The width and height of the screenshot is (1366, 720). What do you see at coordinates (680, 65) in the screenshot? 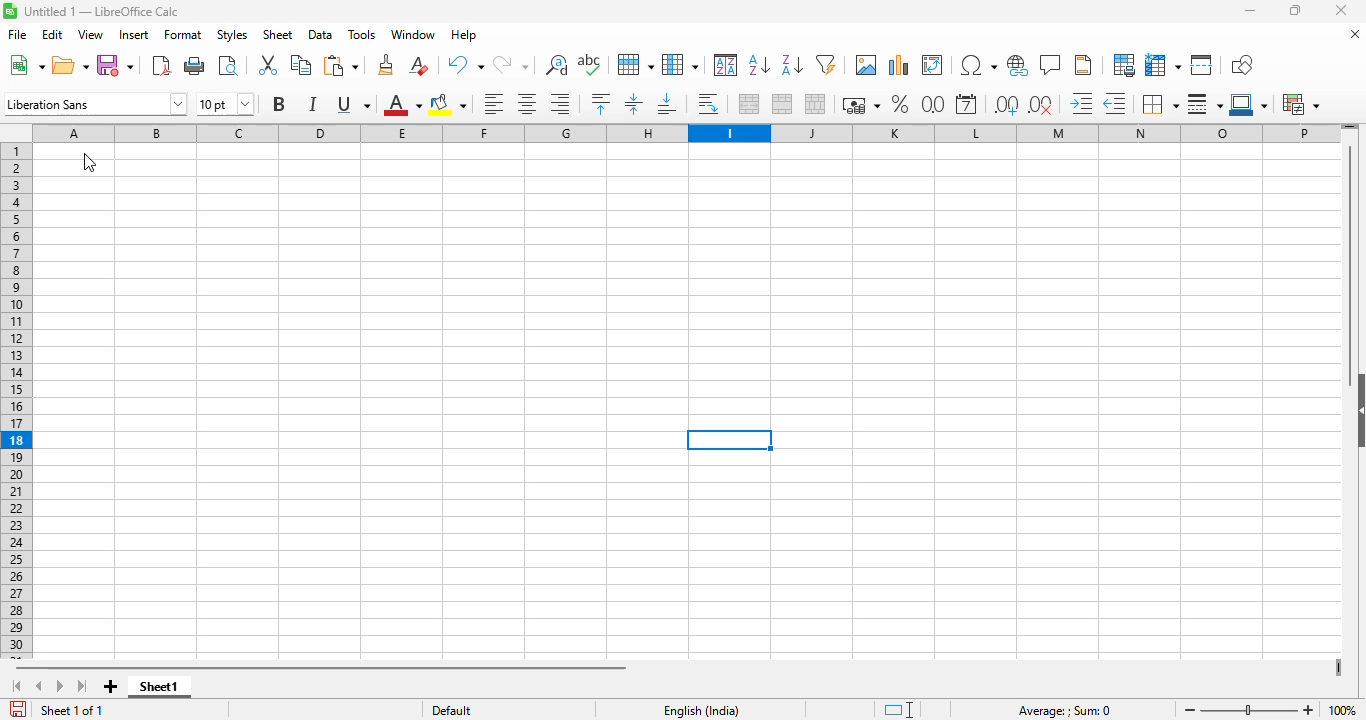
I see `column` at bounding box center [680, 65].